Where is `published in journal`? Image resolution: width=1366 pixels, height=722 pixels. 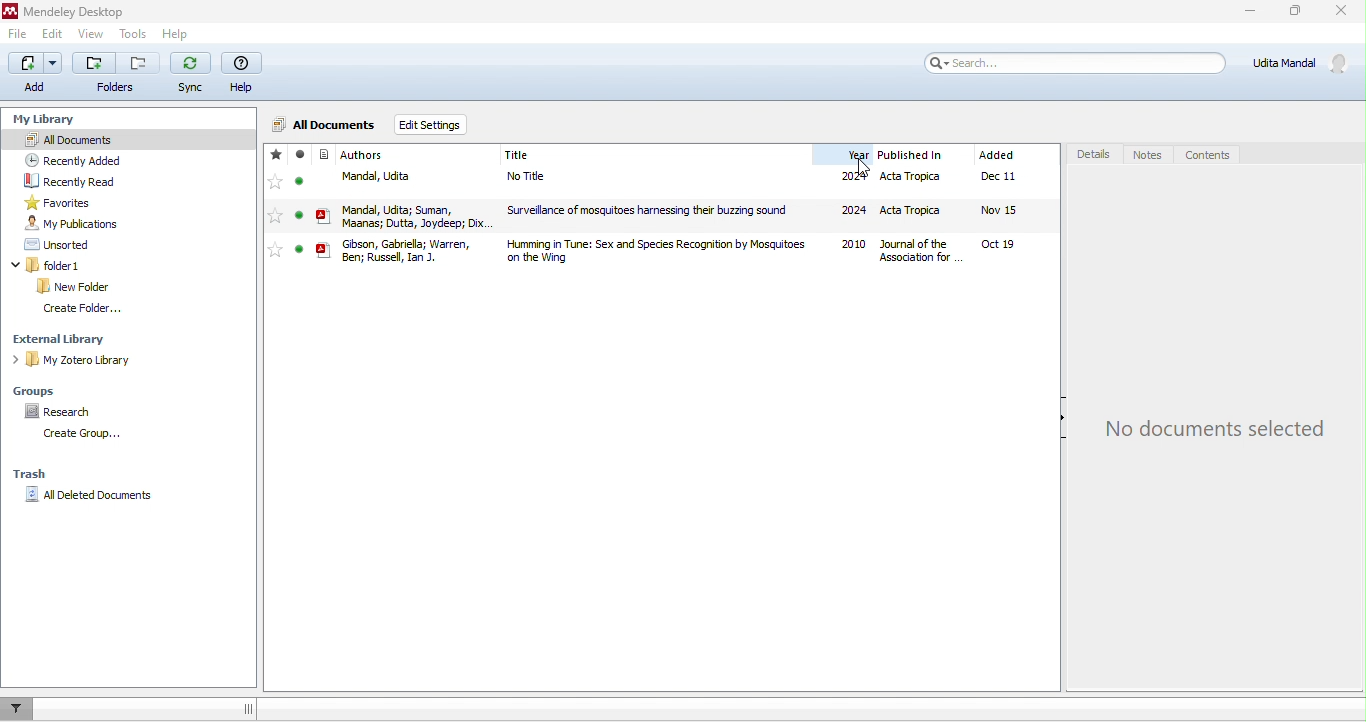
published in journal is located at coordinates (922, 205).